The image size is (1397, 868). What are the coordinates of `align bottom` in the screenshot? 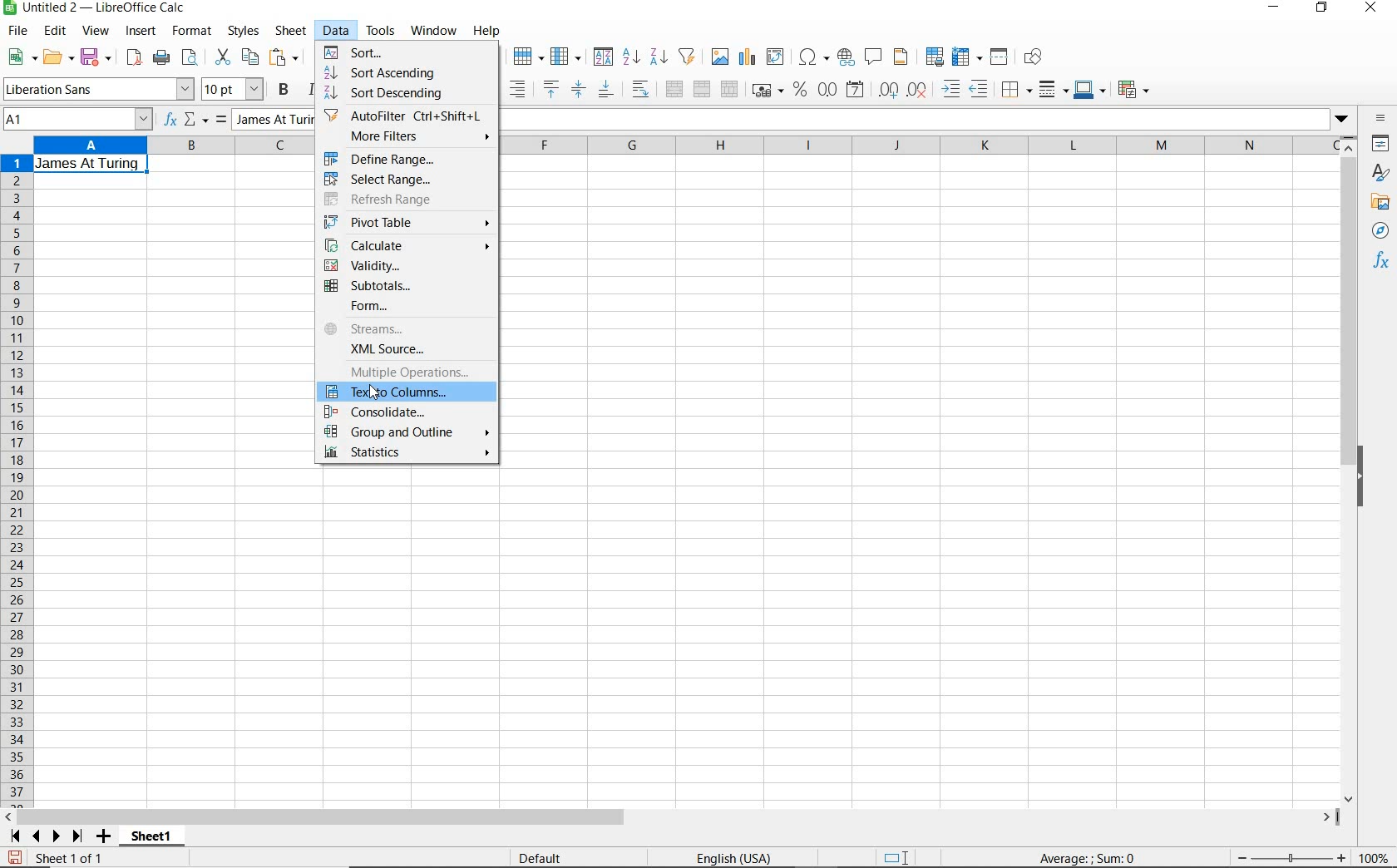 It's located at (605, 89).